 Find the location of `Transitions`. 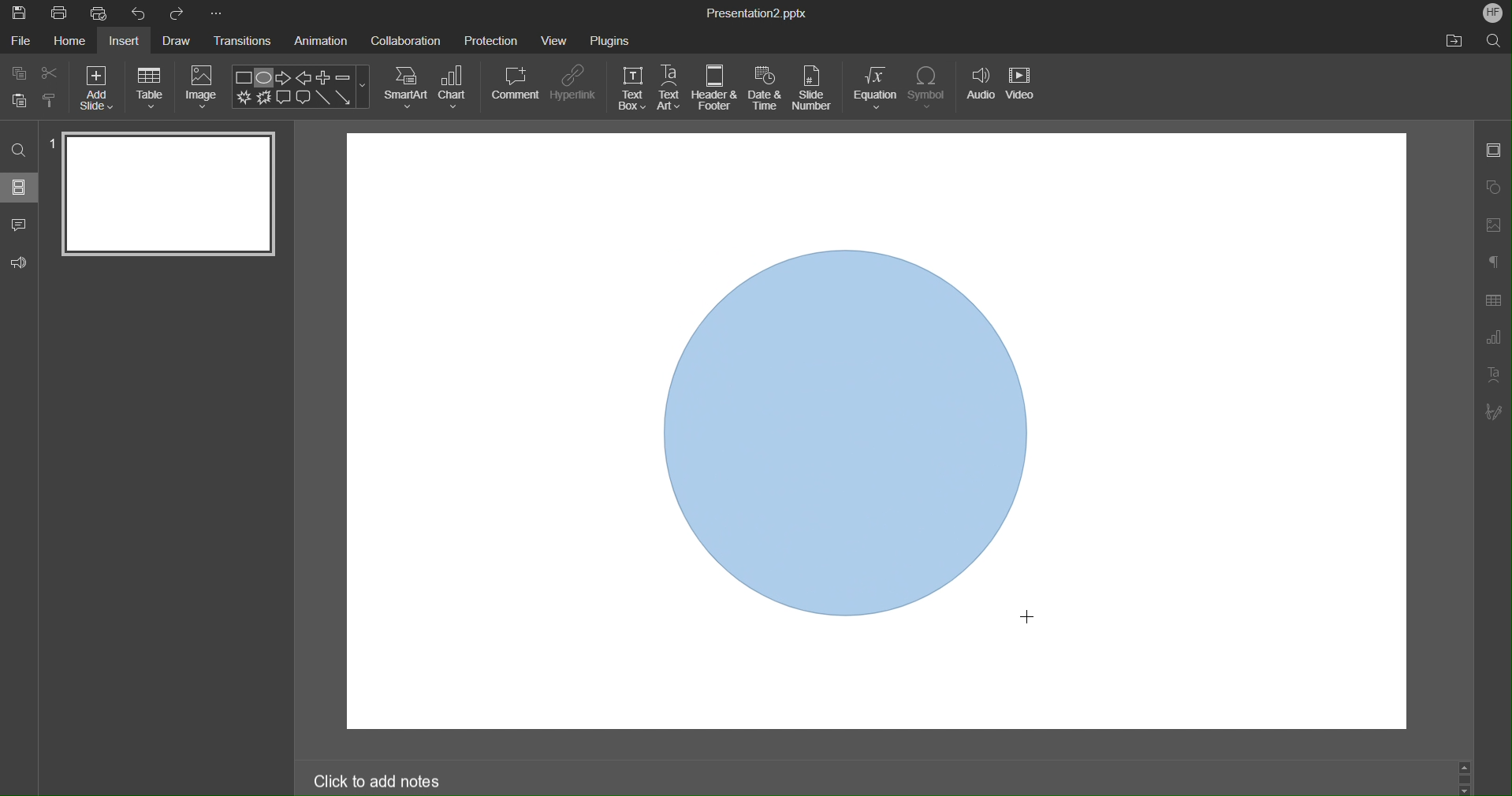

Transitions is located at coordinates (244, 43).